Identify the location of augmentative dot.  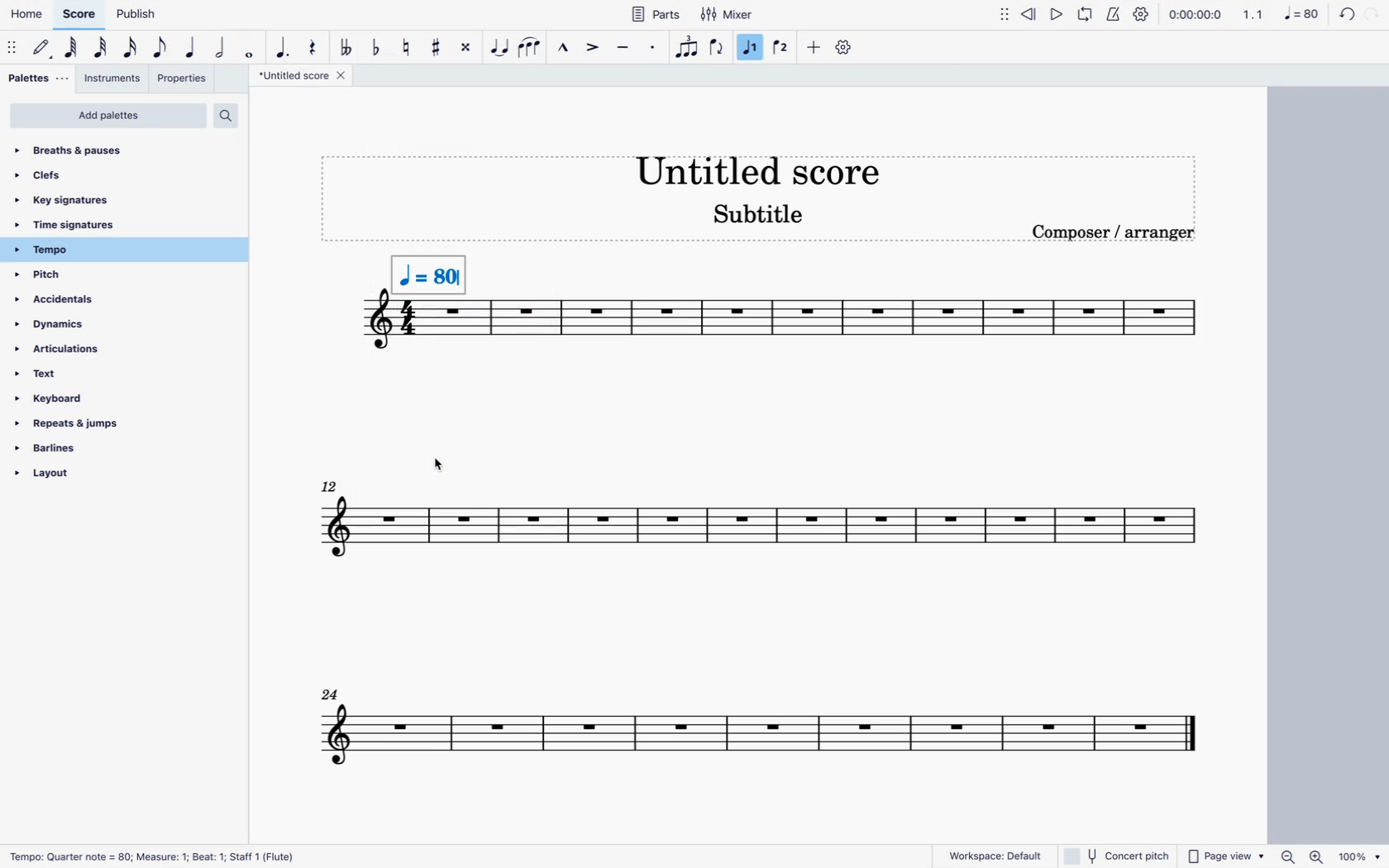
(283, 47).